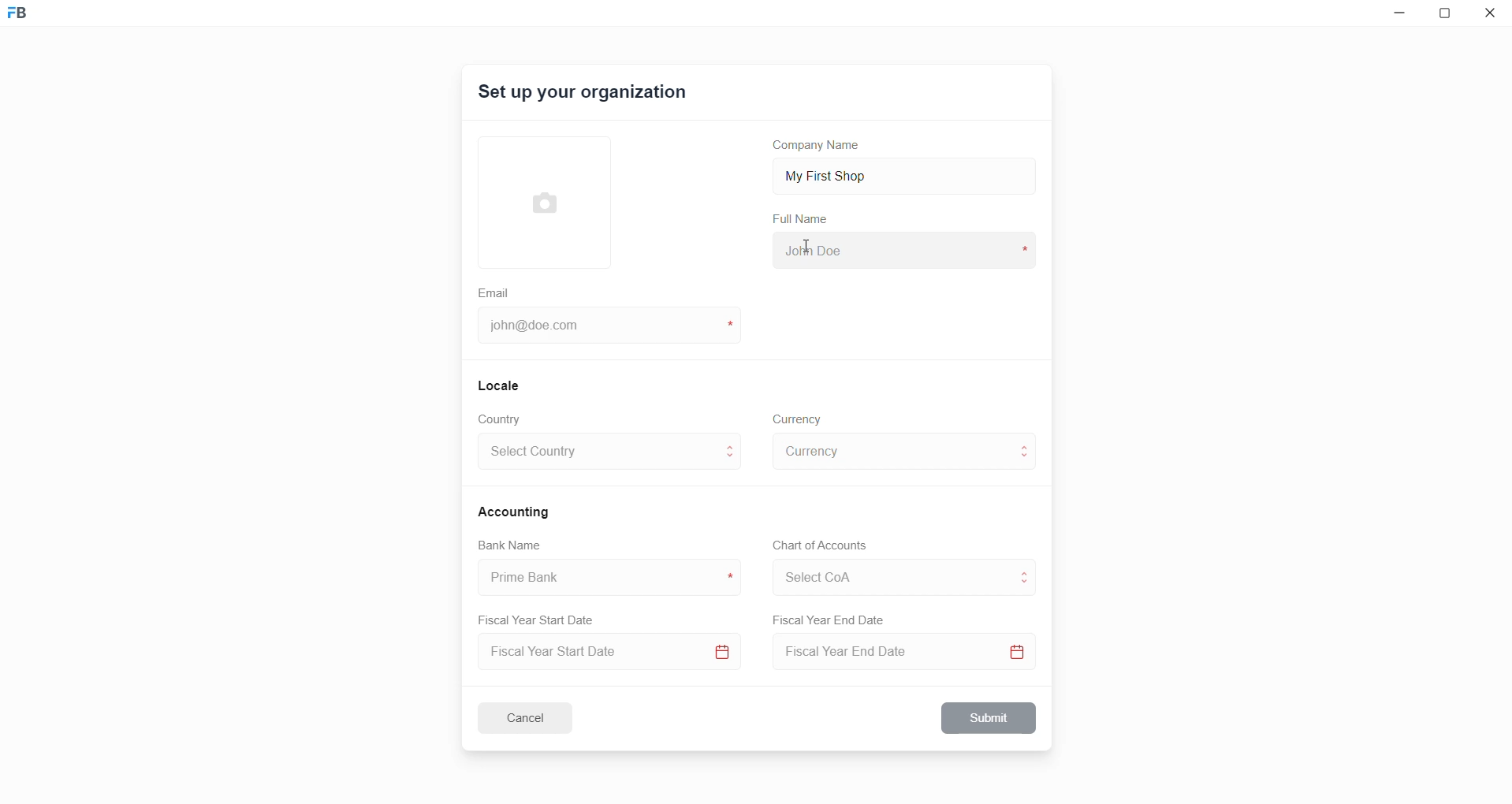  Describe the element at coordinates (1028, 460) in the screenshot. I see `move to below currency` at that location.